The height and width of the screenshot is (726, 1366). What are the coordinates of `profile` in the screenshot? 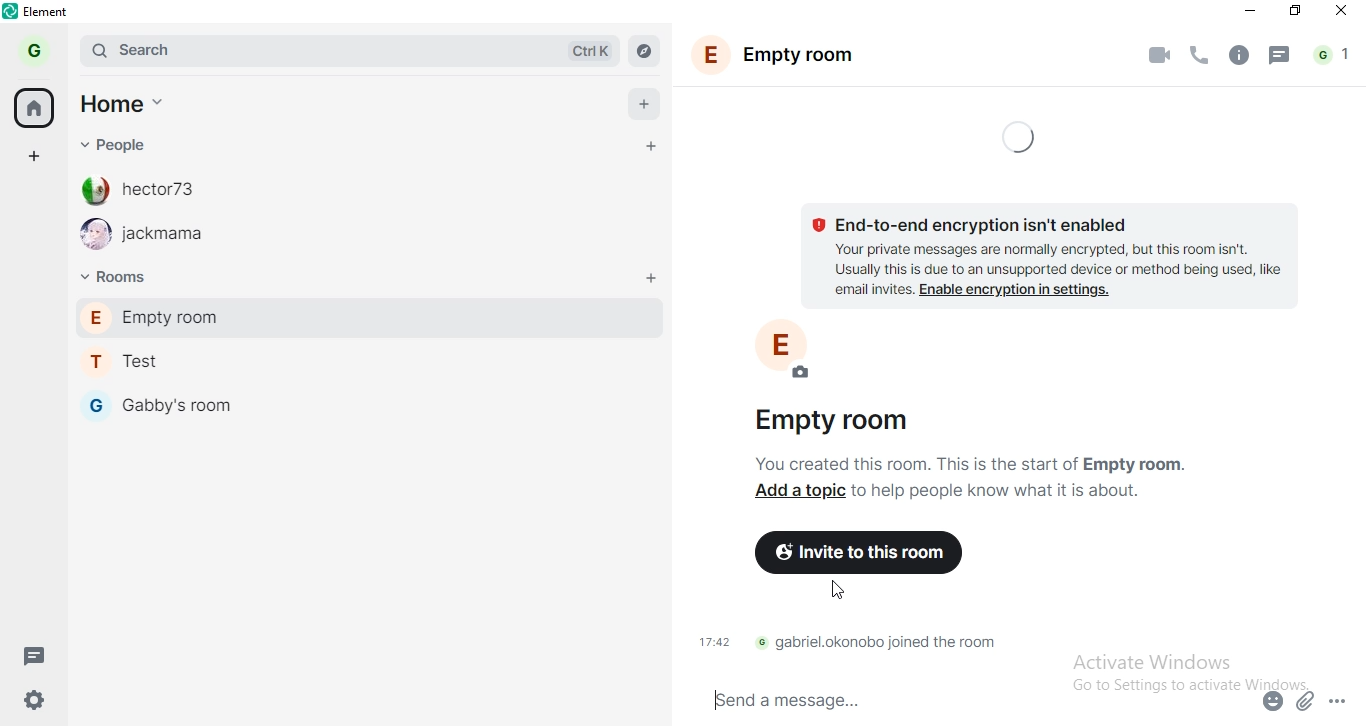 It's located at (34, 50).